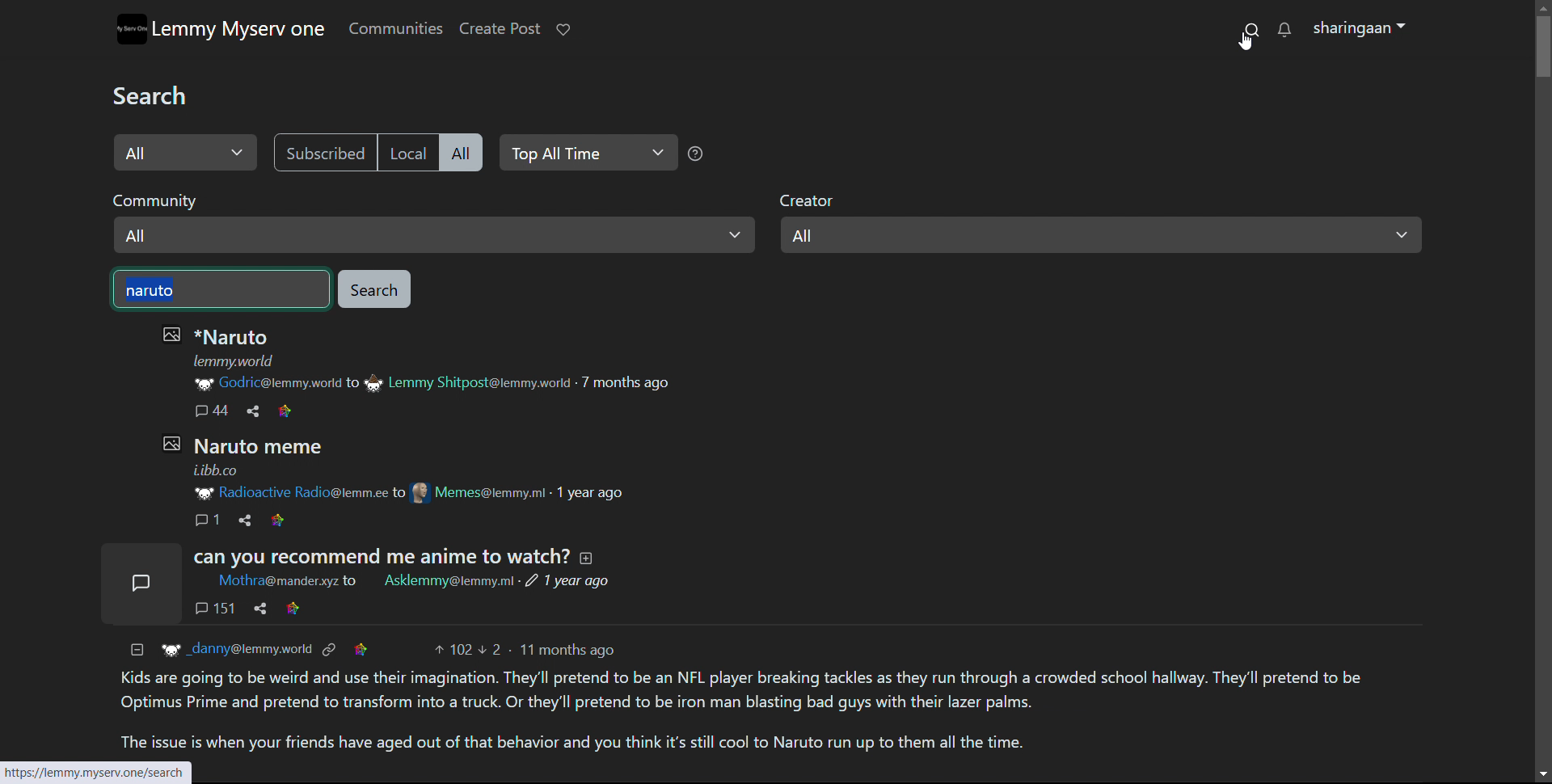 This screenshot has height=784, width=1552. What do you see at coordinates (221, 28) in the screenshot?
I see `Lemmy myserv one logo and name` at bounding box center [221, 28].